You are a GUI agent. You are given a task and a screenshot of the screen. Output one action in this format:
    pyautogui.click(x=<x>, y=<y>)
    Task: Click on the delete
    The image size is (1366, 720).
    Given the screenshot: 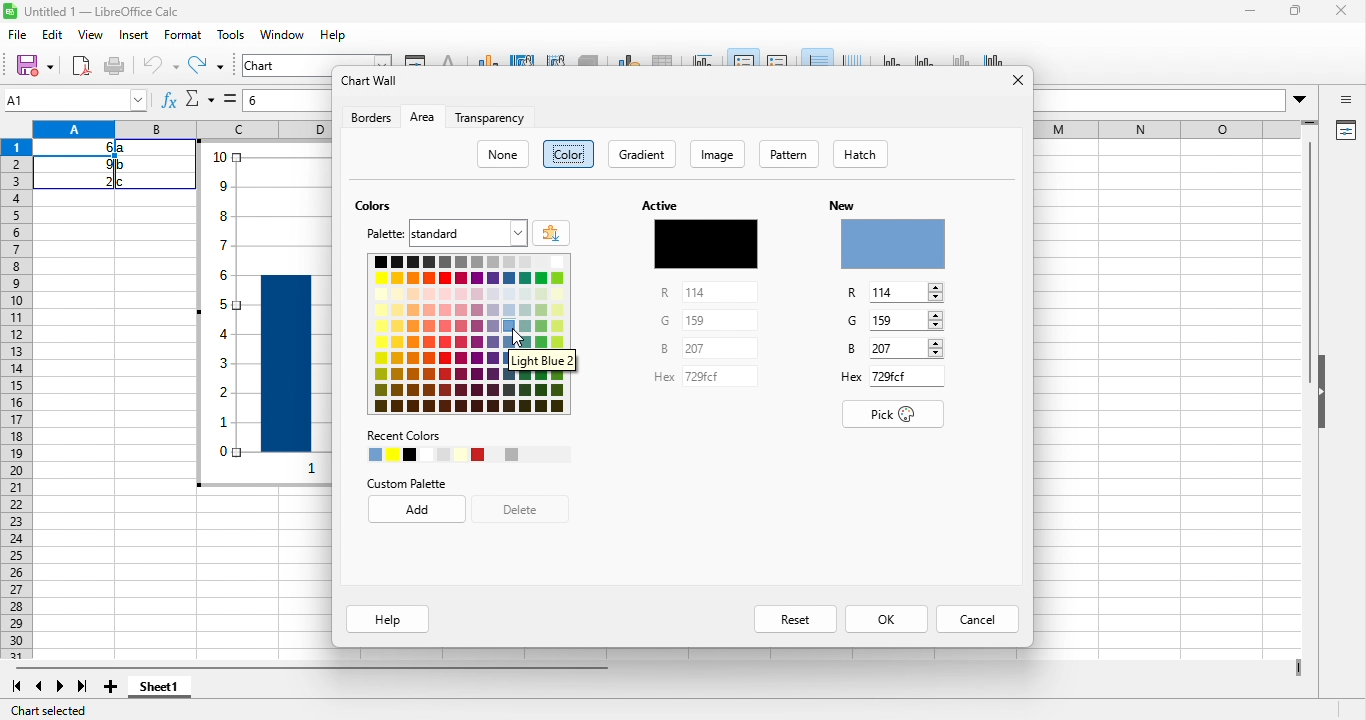 What is the action you would take?
    pyautogui.click(x=523, y=512)
    